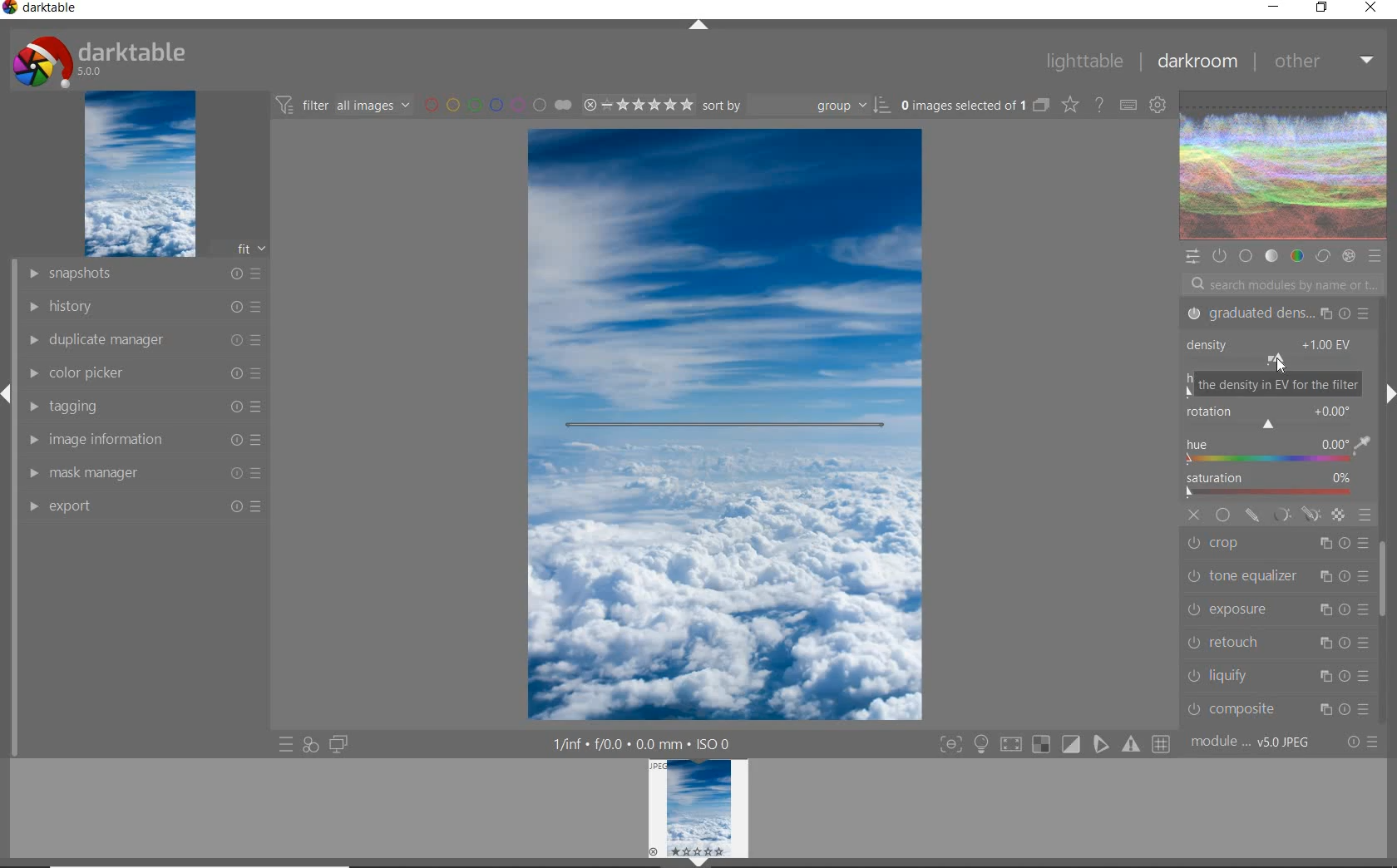  Describe the element at coordinates (1271, 418) in the screenshot. I see `ROTATION` at that location.